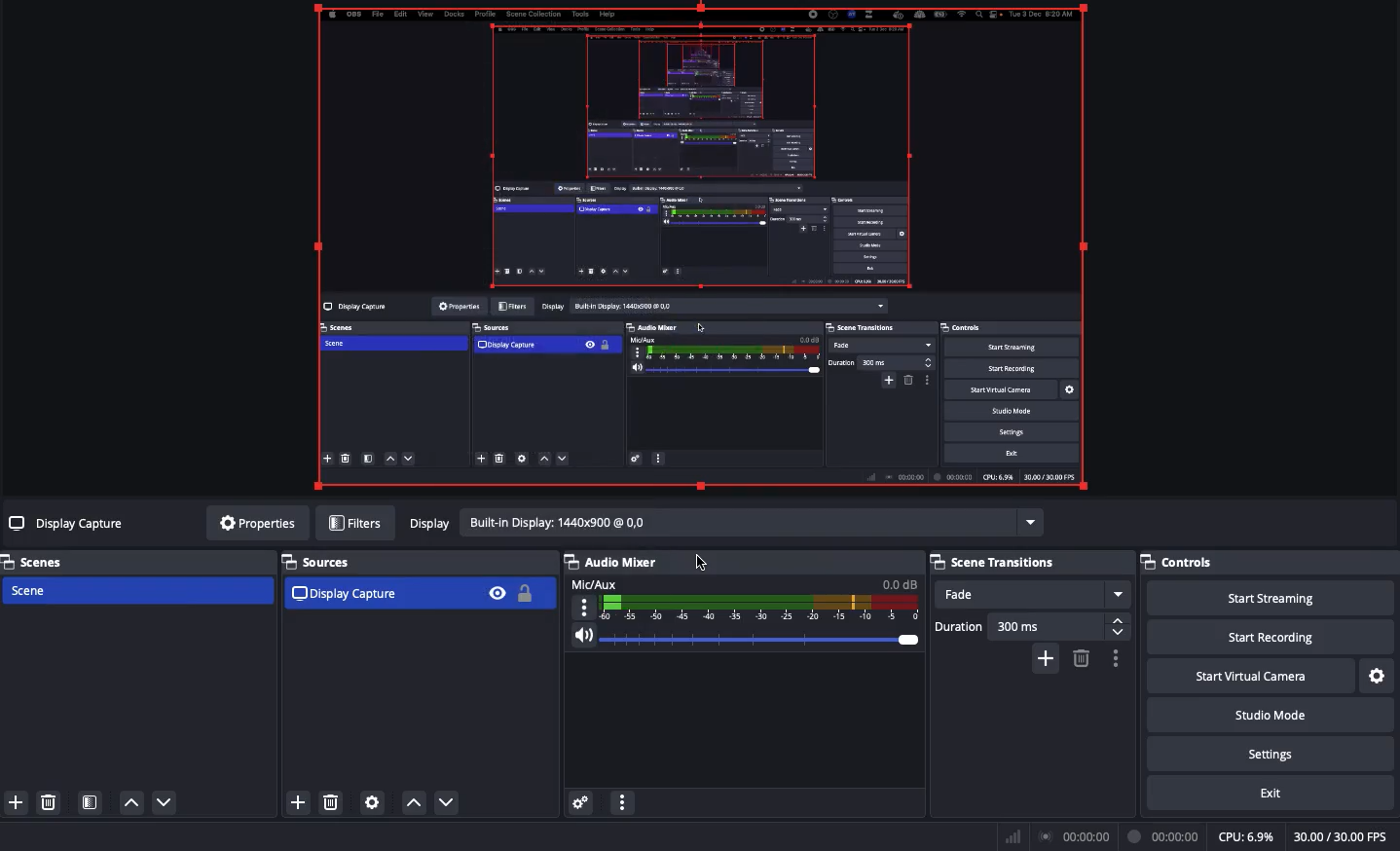 This screenshot has width=1400, height=851. I want to click on Start virtual camera, so click(1250, 679).